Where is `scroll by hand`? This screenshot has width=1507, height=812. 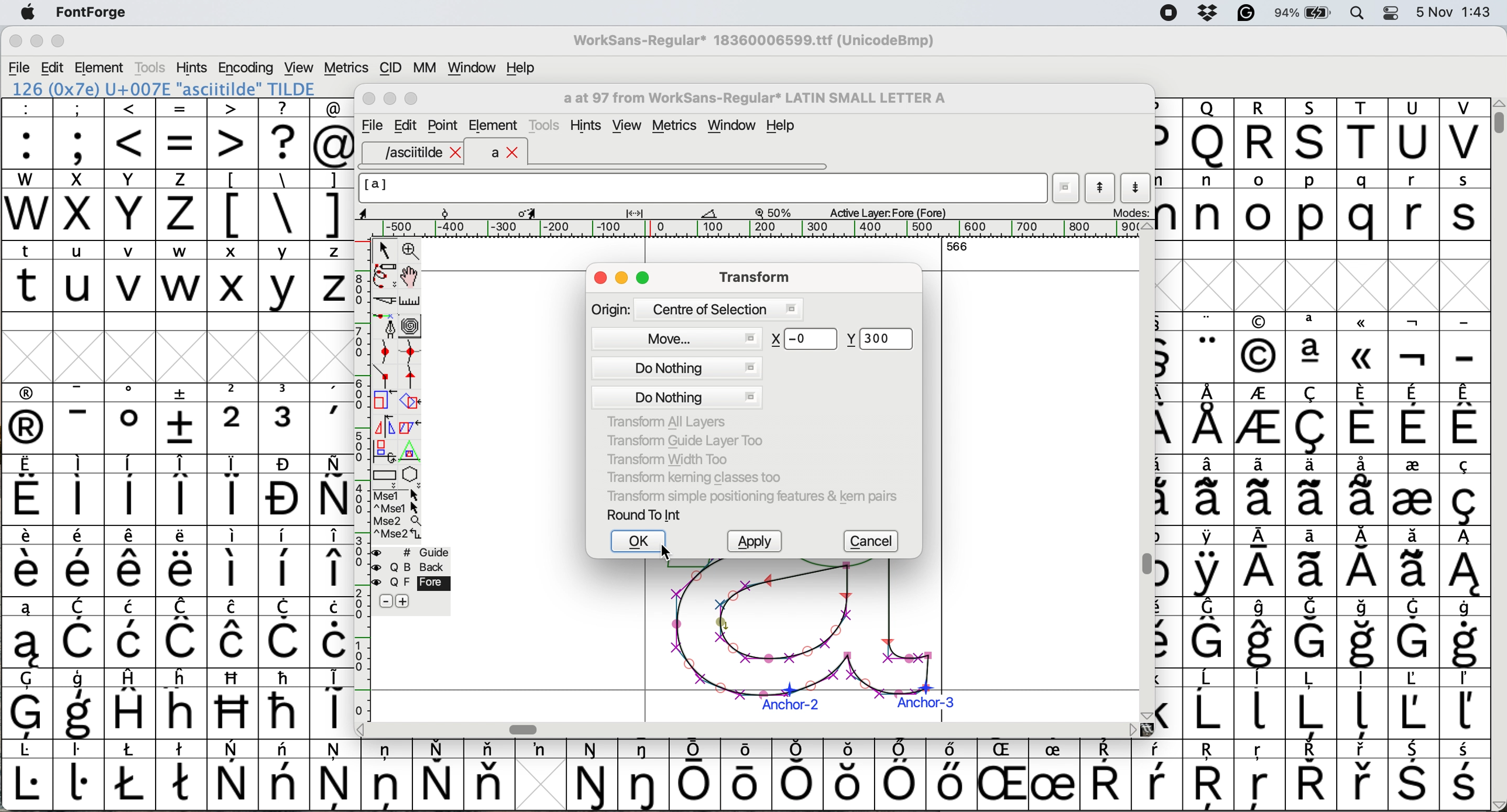 scroll by hand is located at coordinates (411, 277).